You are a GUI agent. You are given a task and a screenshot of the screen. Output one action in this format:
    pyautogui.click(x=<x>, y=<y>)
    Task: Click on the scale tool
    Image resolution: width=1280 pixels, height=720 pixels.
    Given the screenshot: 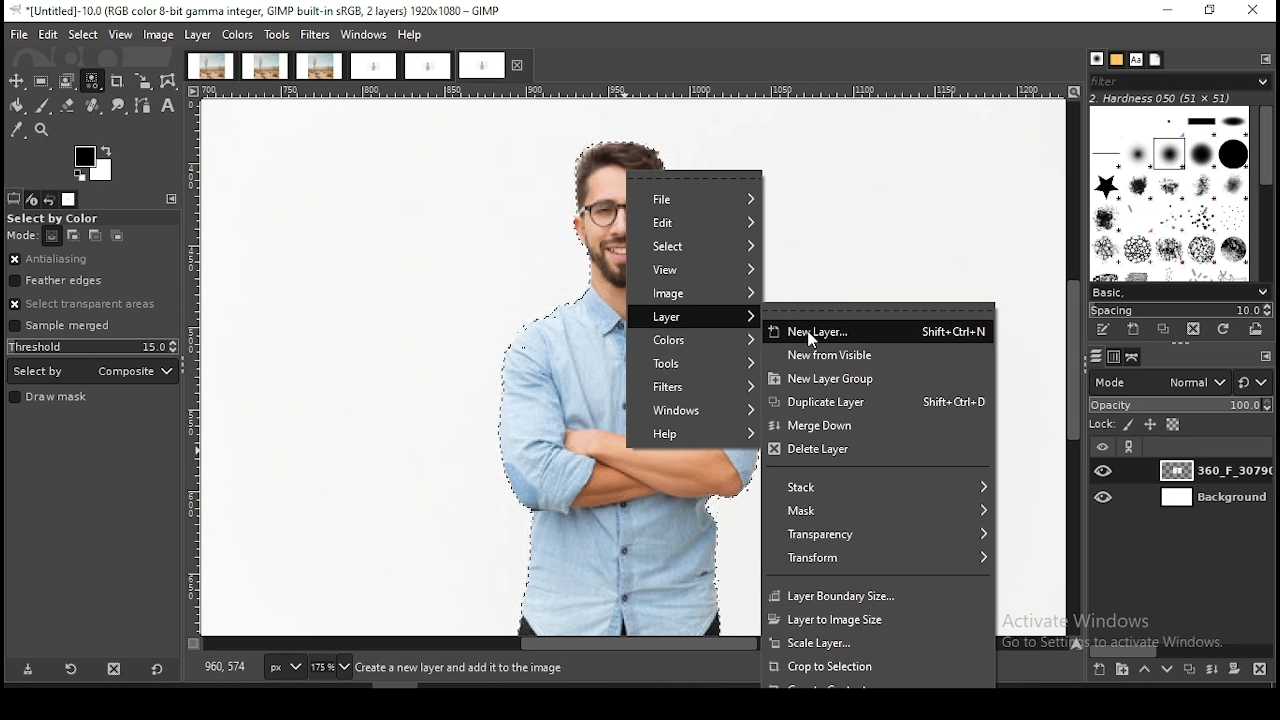 What is the action you would take?
    pyautogui.click(x=143, y=82)
    